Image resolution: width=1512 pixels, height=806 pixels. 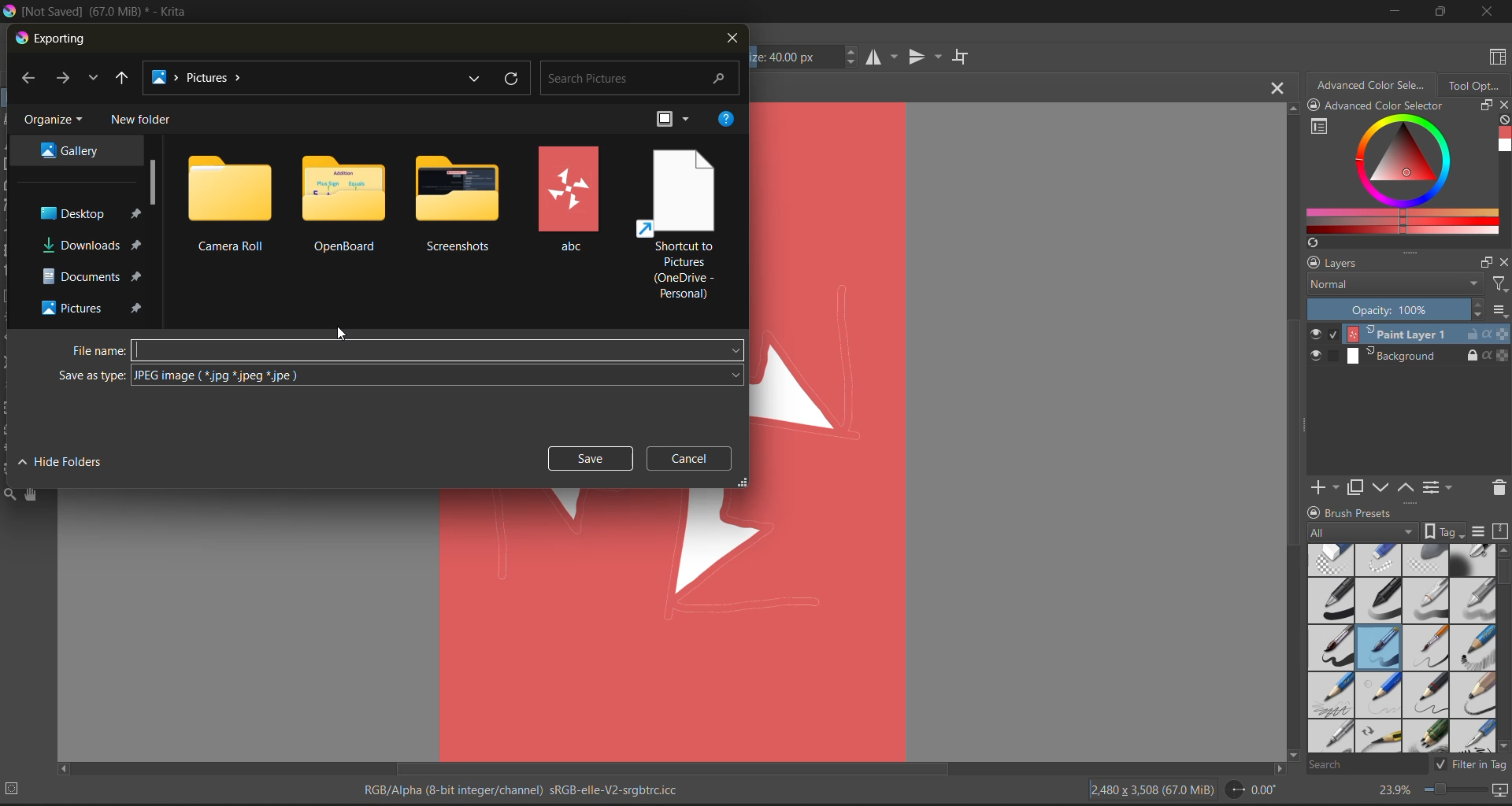 I want to click on folders and files, so click(x=347, y=201).